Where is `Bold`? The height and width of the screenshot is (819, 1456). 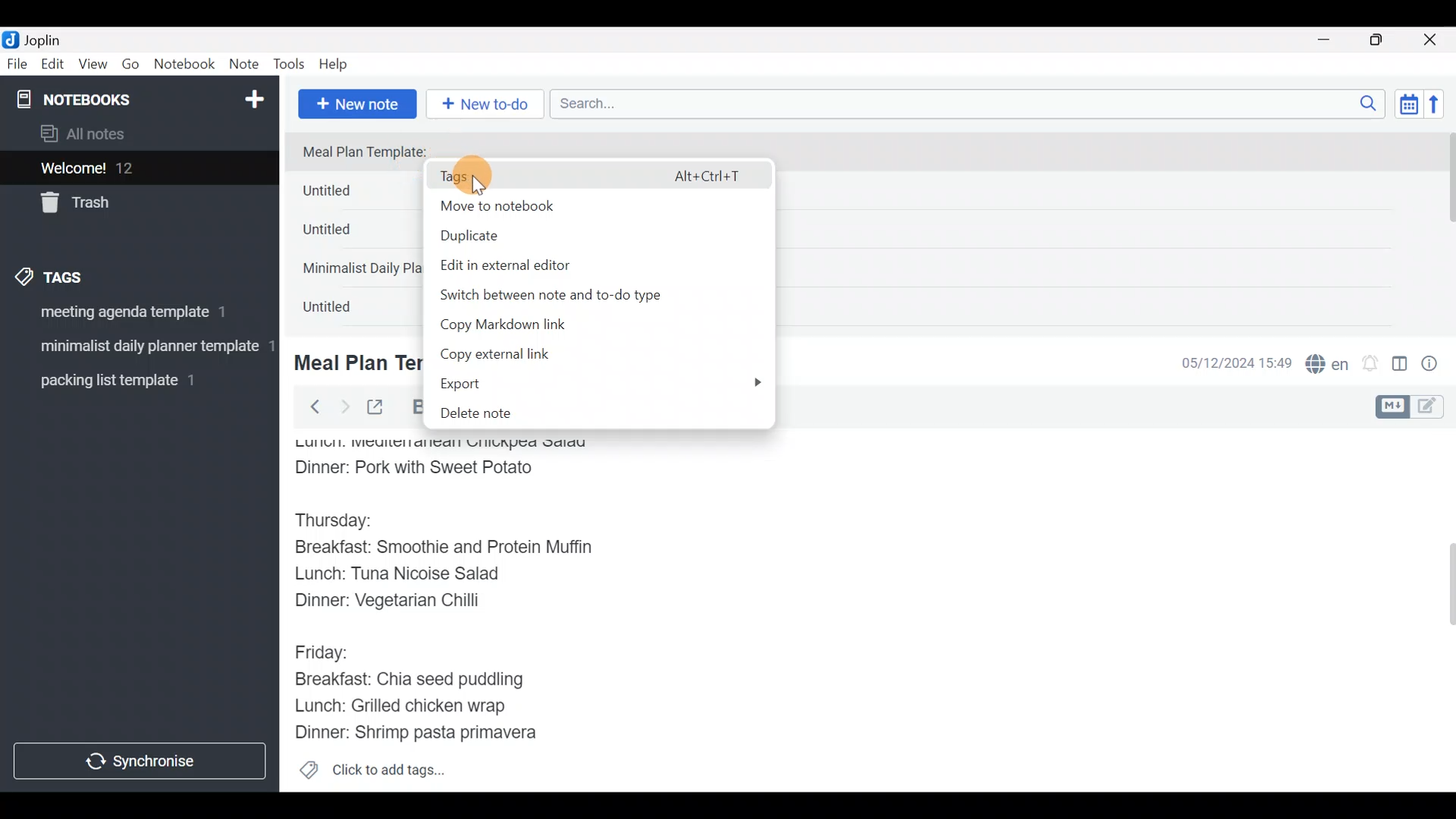 Bold is located at coordinates (415, 407).